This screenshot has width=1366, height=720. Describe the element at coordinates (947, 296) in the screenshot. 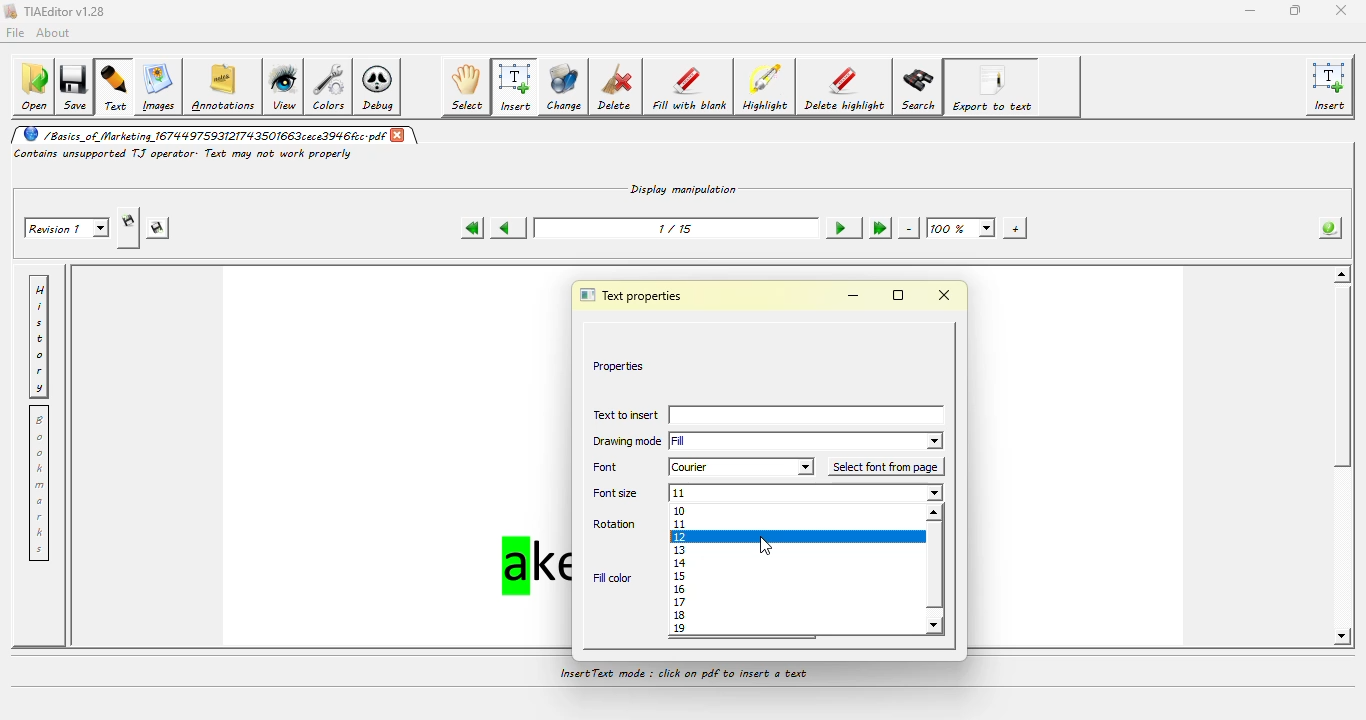

I see `close` at that location.